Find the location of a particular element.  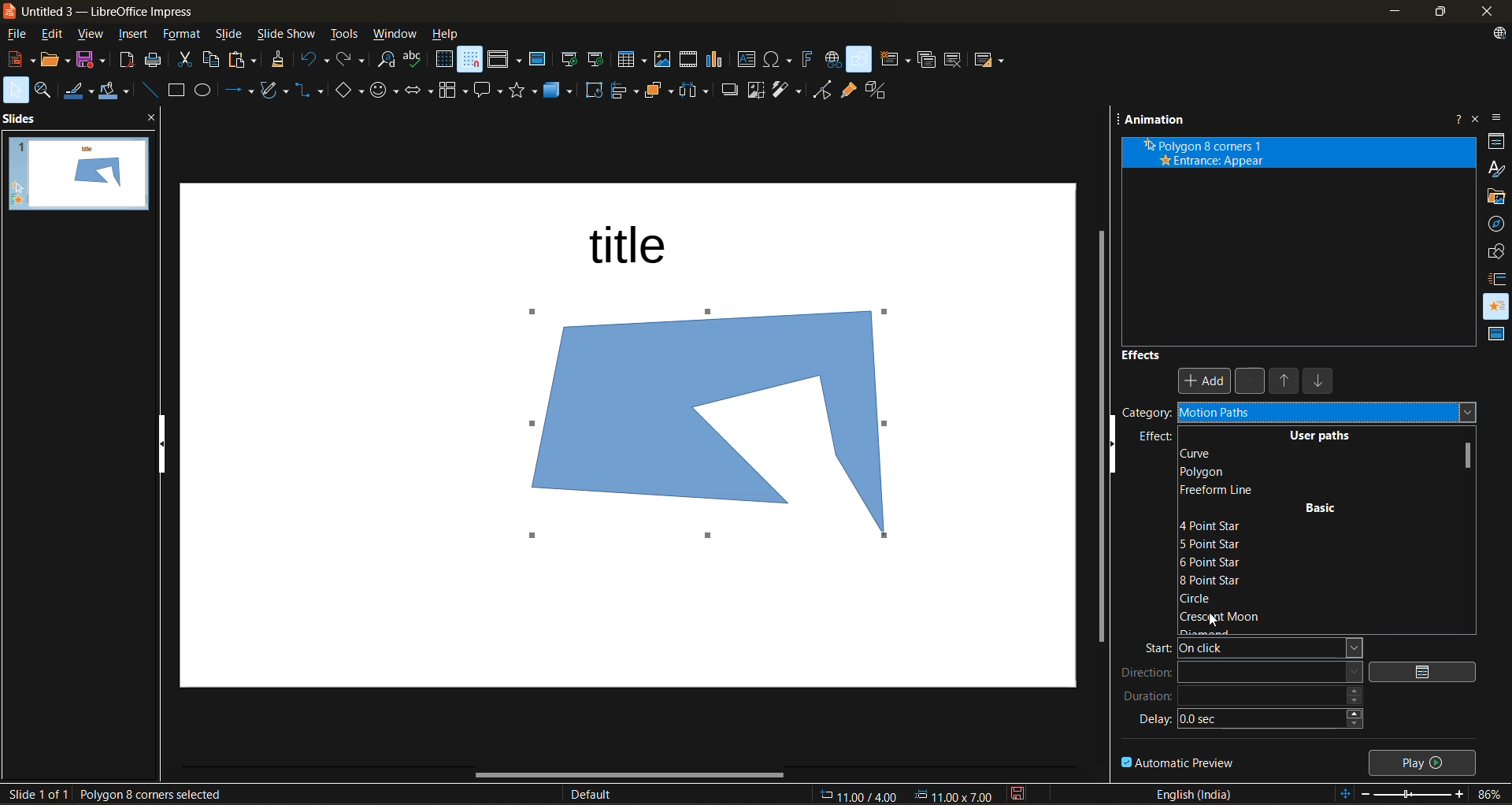

gallery is located at coordinates (1496, 198).